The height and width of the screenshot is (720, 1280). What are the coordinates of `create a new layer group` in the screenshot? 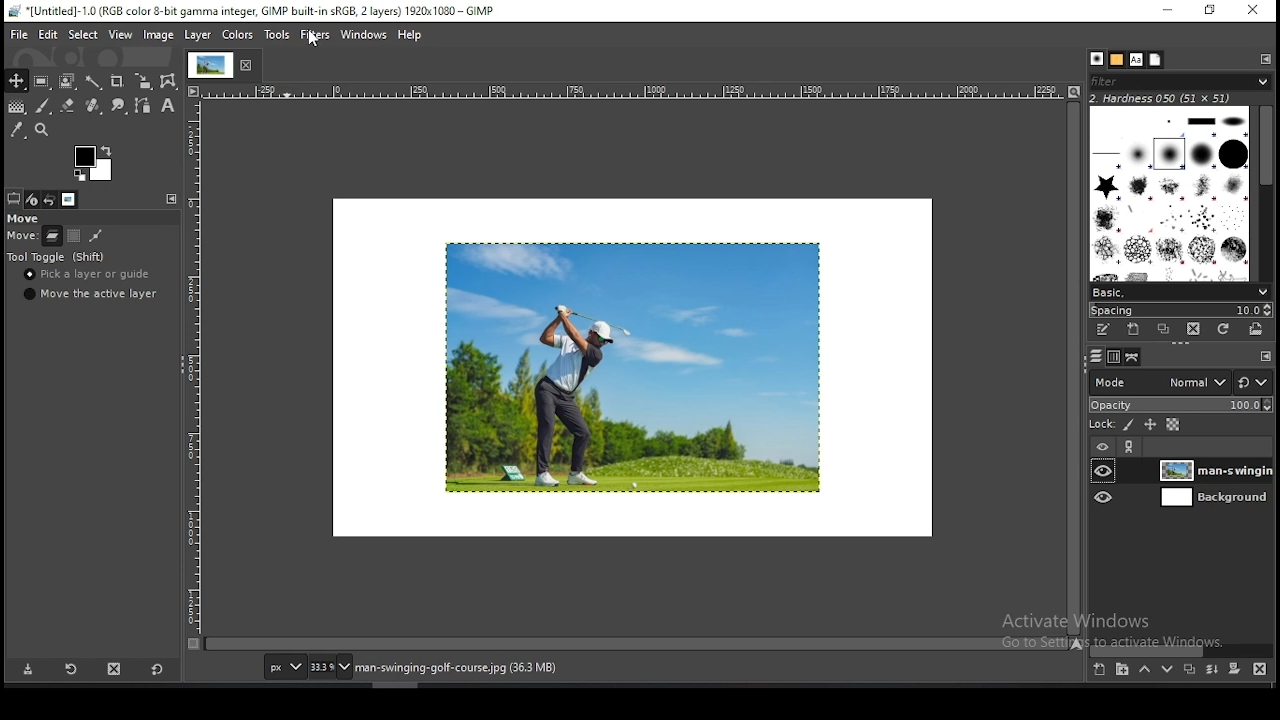 It's located at (1123, 669).